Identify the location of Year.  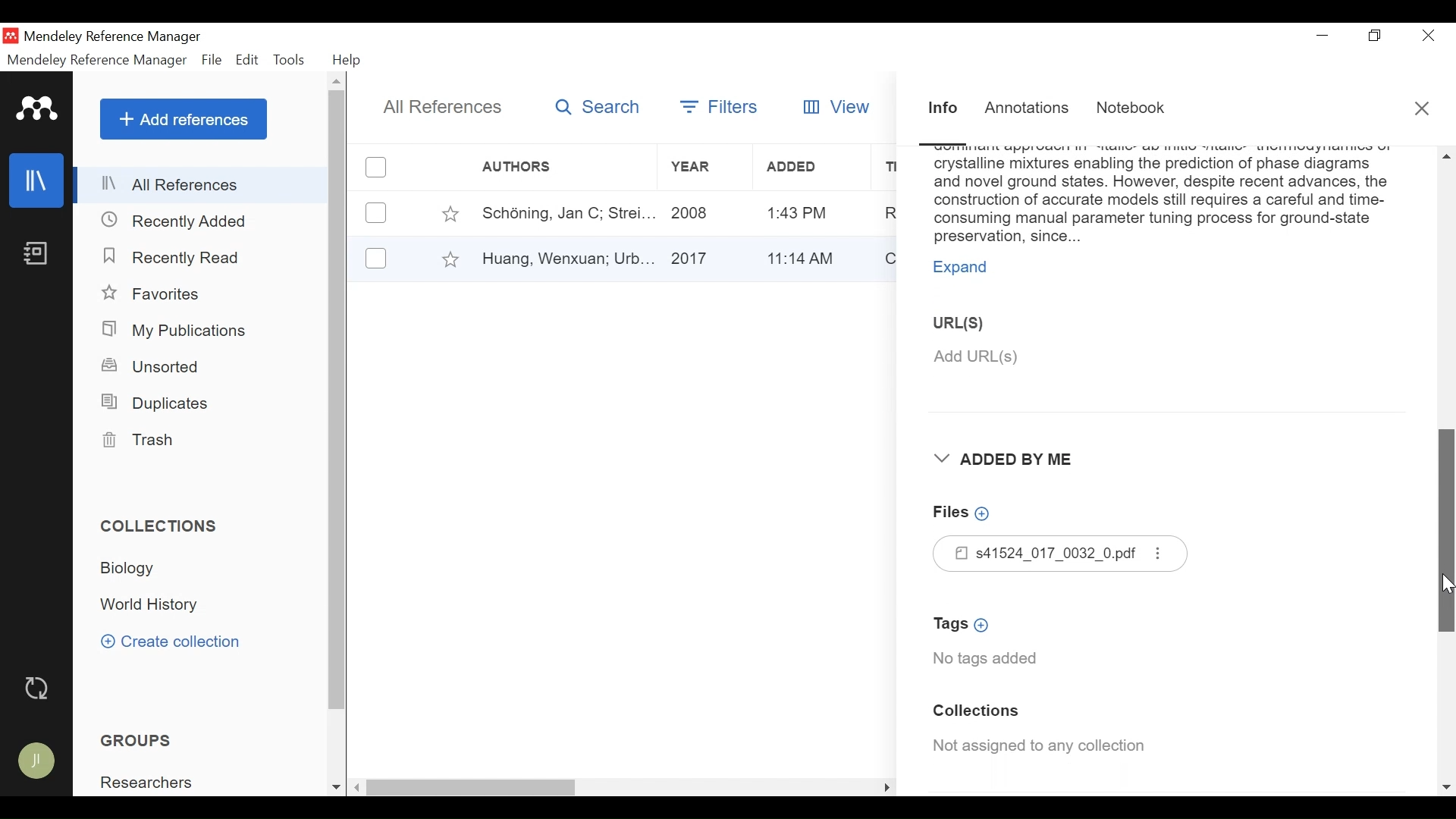
(702, 257).